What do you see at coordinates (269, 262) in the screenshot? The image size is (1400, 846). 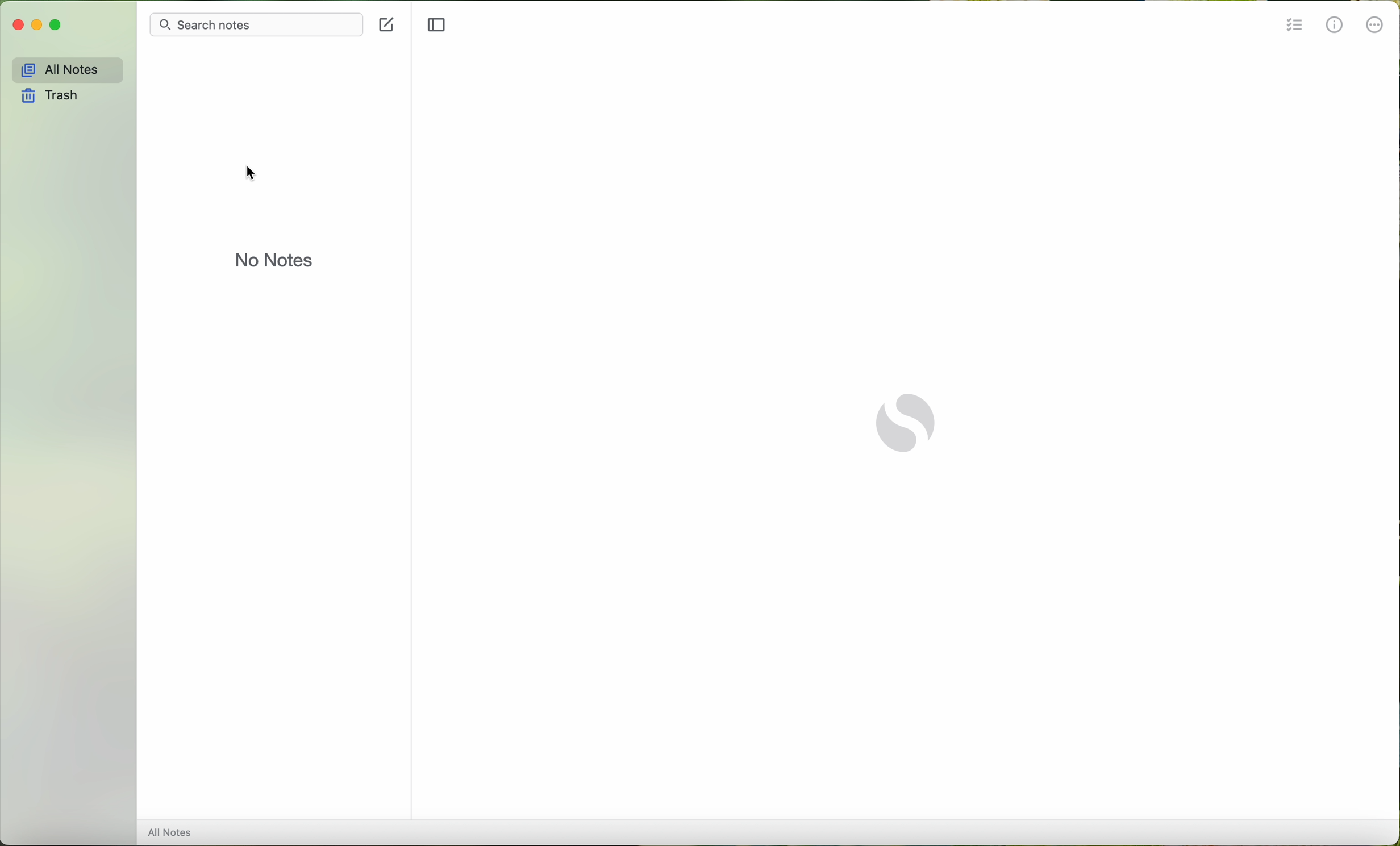 I see `no notes` at bounding box center [269, 262].